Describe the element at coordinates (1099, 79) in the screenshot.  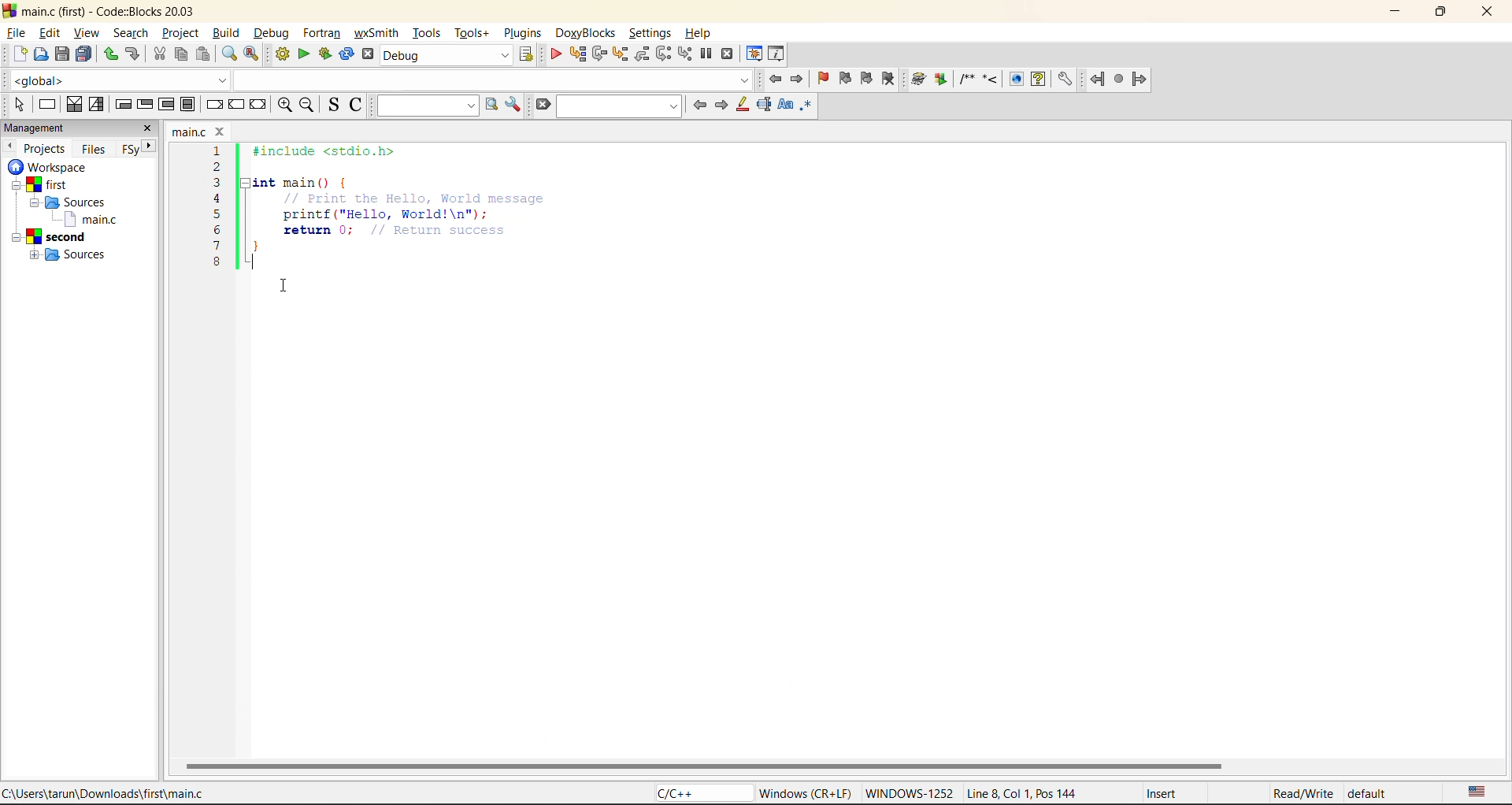
I see `jump back` at that location.